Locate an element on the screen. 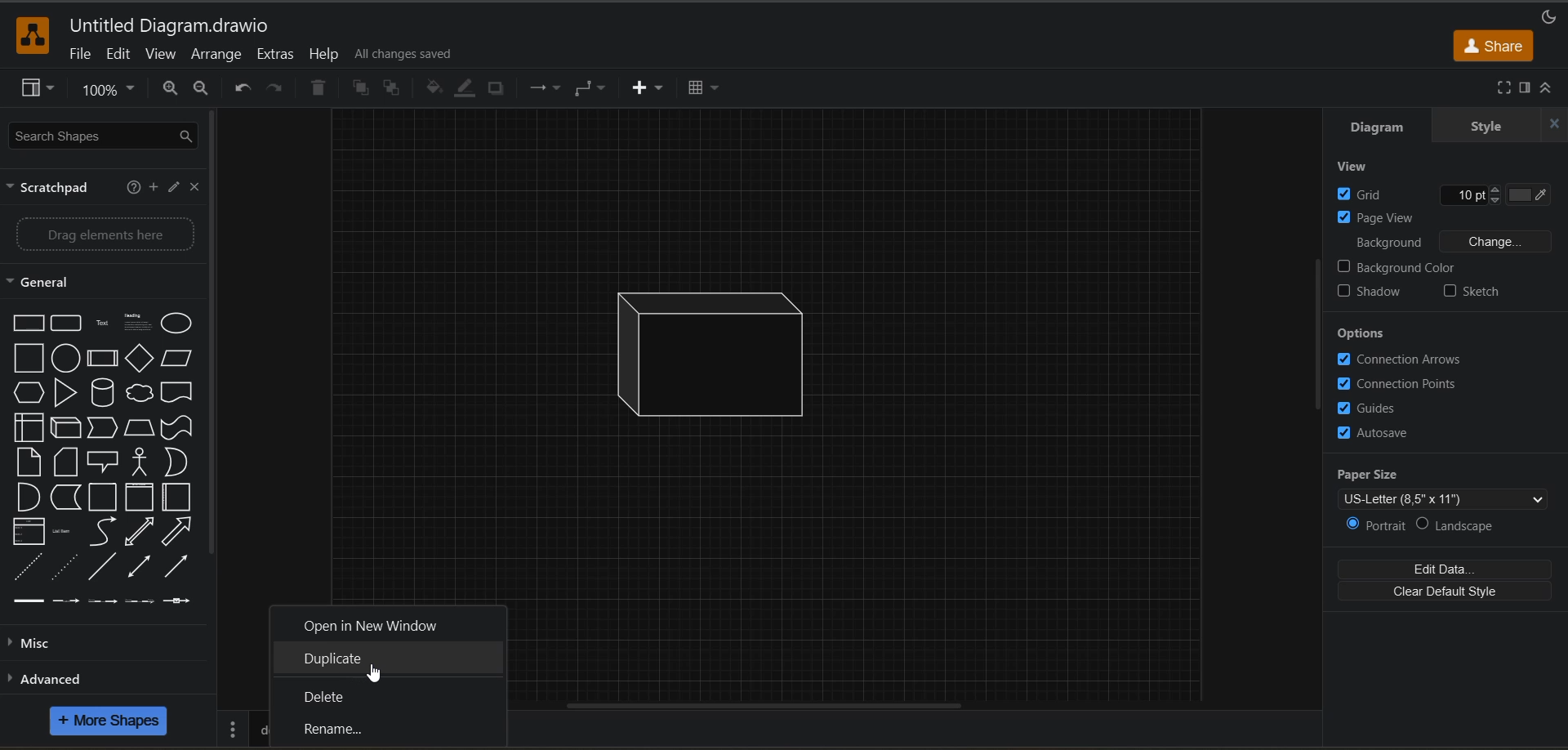 This screenshot has width=1568, height=750. sketch is located at coordinates (1474, 294).